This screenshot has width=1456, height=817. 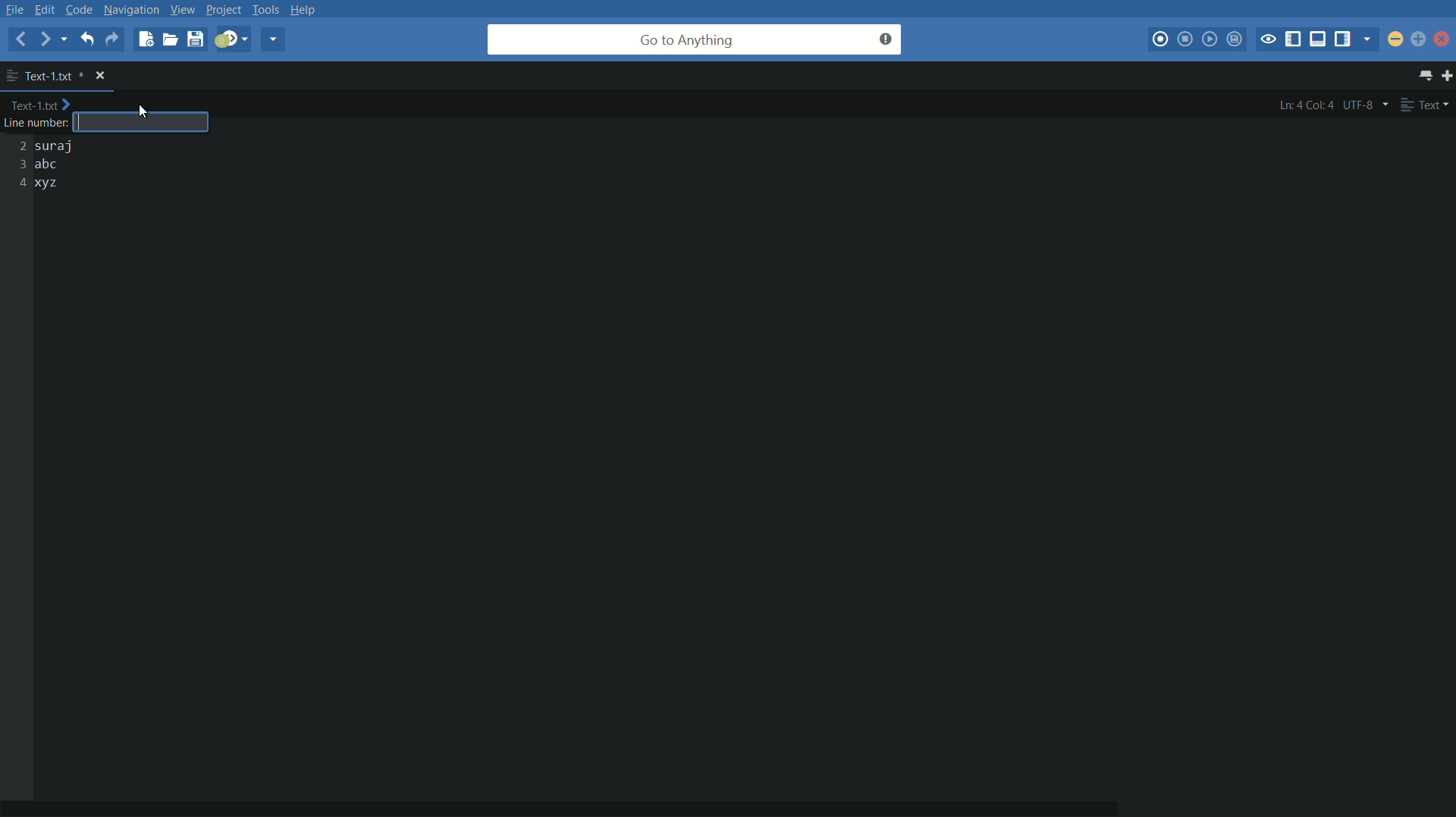 What do you see at coordinates (1185, 39) in the screenshot?
I see `stop macro` at bounding box center [1185, 39].